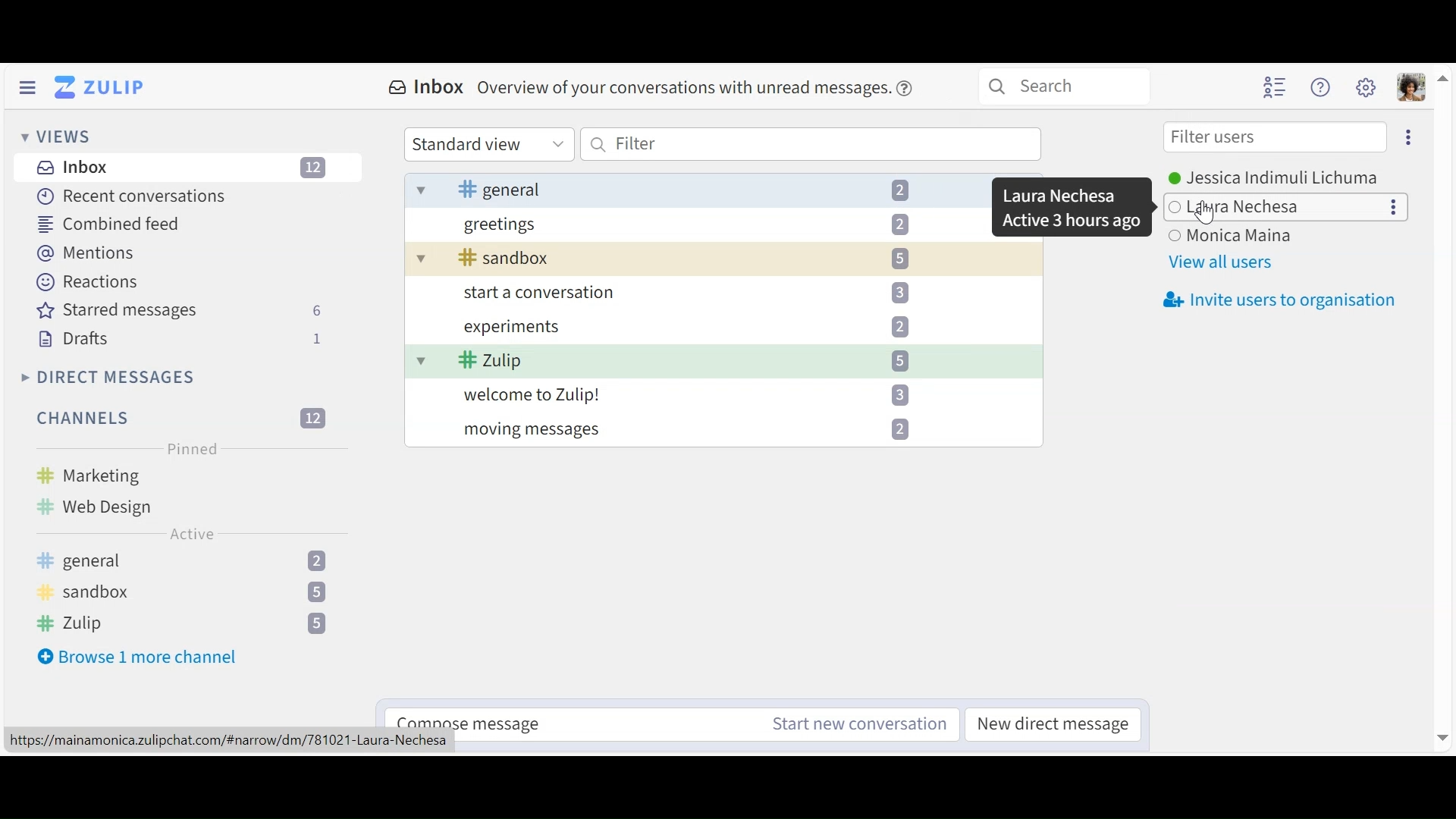 The width and height of the screenshot is (1456, 819). Describe the element at coordinates (139, 656) in the screenshot. I see `Browse more channel` at that location.